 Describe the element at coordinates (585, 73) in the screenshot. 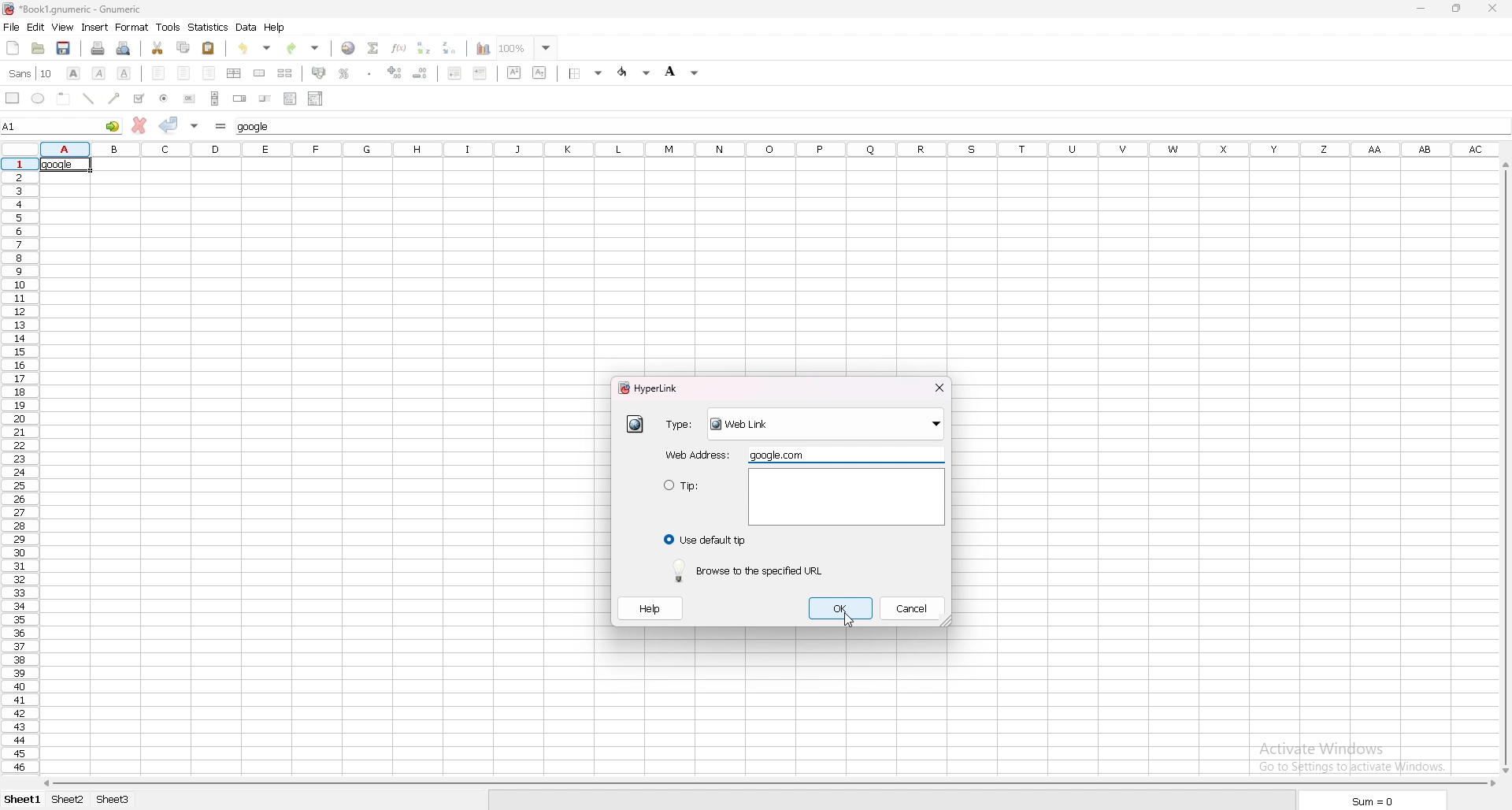

I see `border` at that location.